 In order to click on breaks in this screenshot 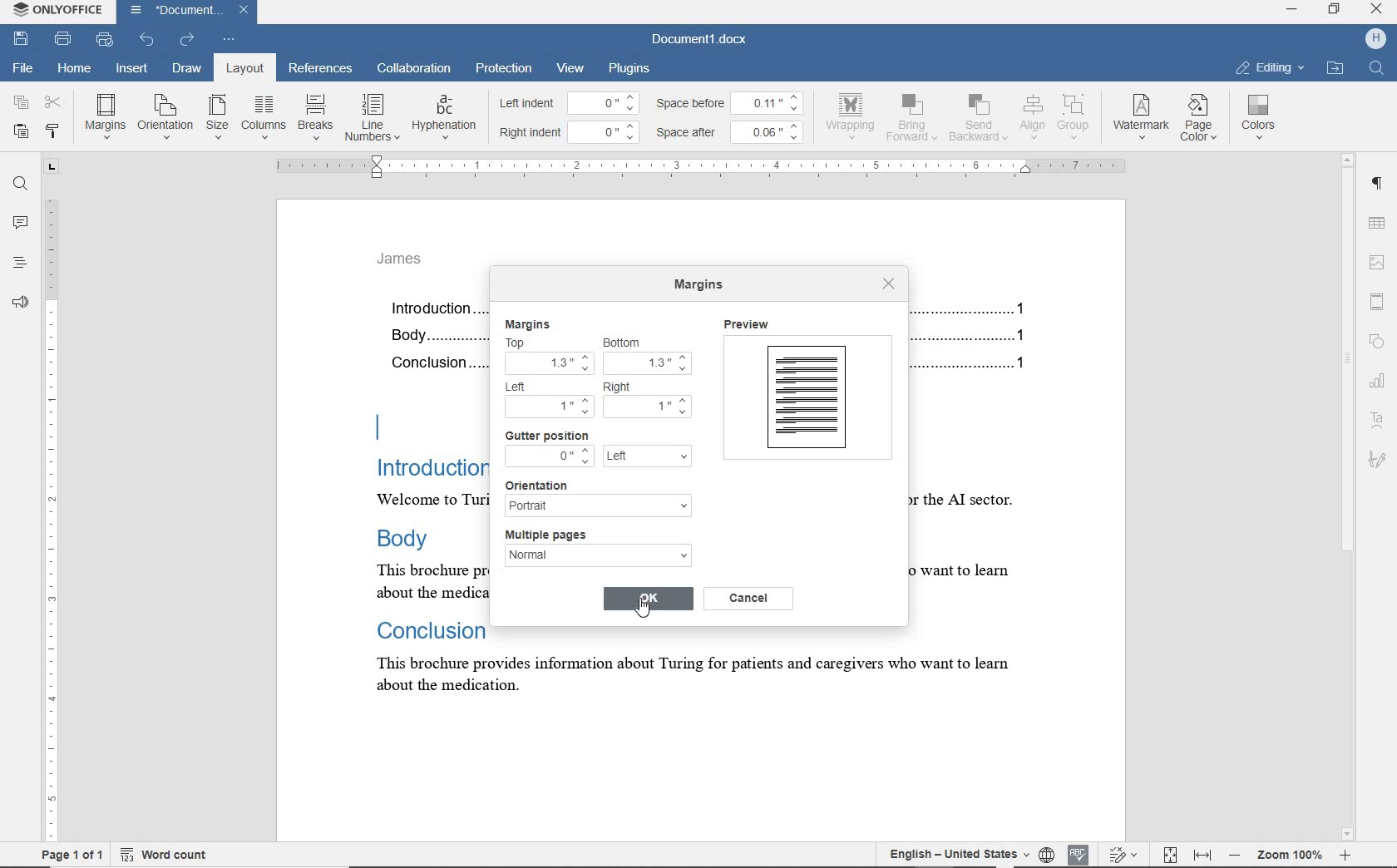, I will do `click(313, 117)`.